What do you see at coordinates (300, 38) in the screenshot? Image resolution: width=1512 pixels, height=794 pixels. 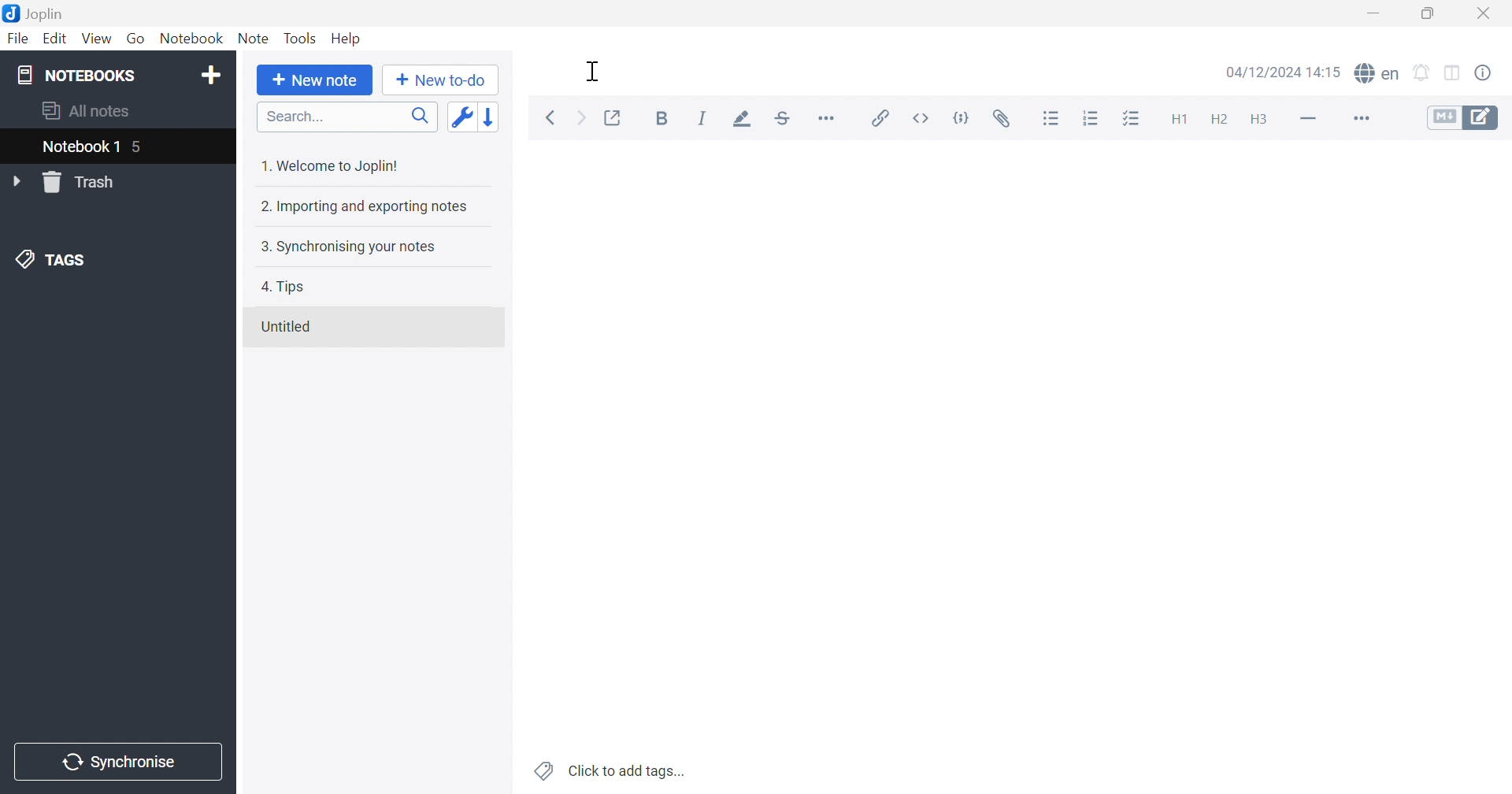 I see `Tools` at bounding box center [300, 38].